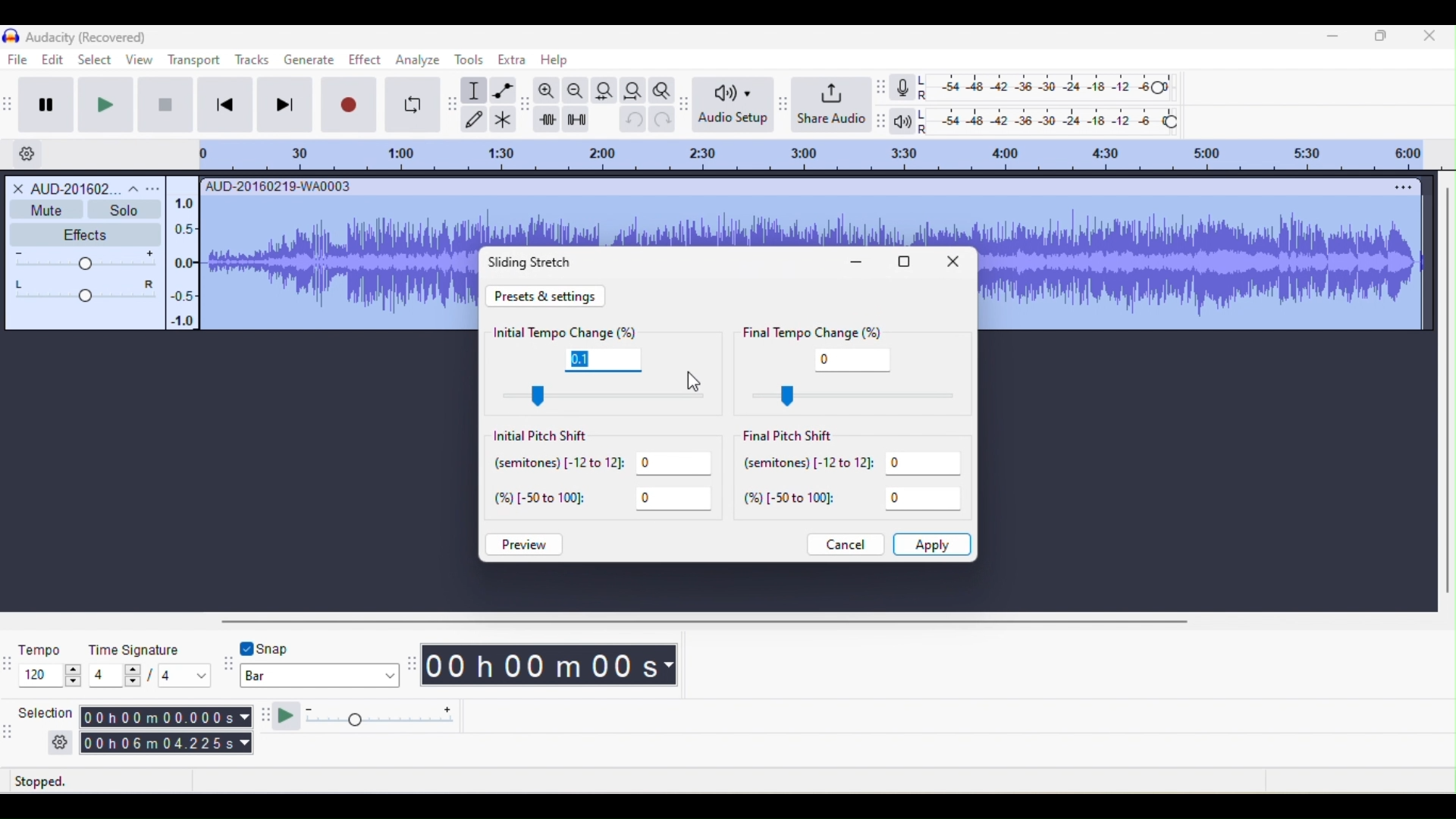 This screenshot has width=1456, height=819. What do you see at coordinates (1335, 39) in the screenshot?
I see `minimize` at bounding box center [1335, 39].